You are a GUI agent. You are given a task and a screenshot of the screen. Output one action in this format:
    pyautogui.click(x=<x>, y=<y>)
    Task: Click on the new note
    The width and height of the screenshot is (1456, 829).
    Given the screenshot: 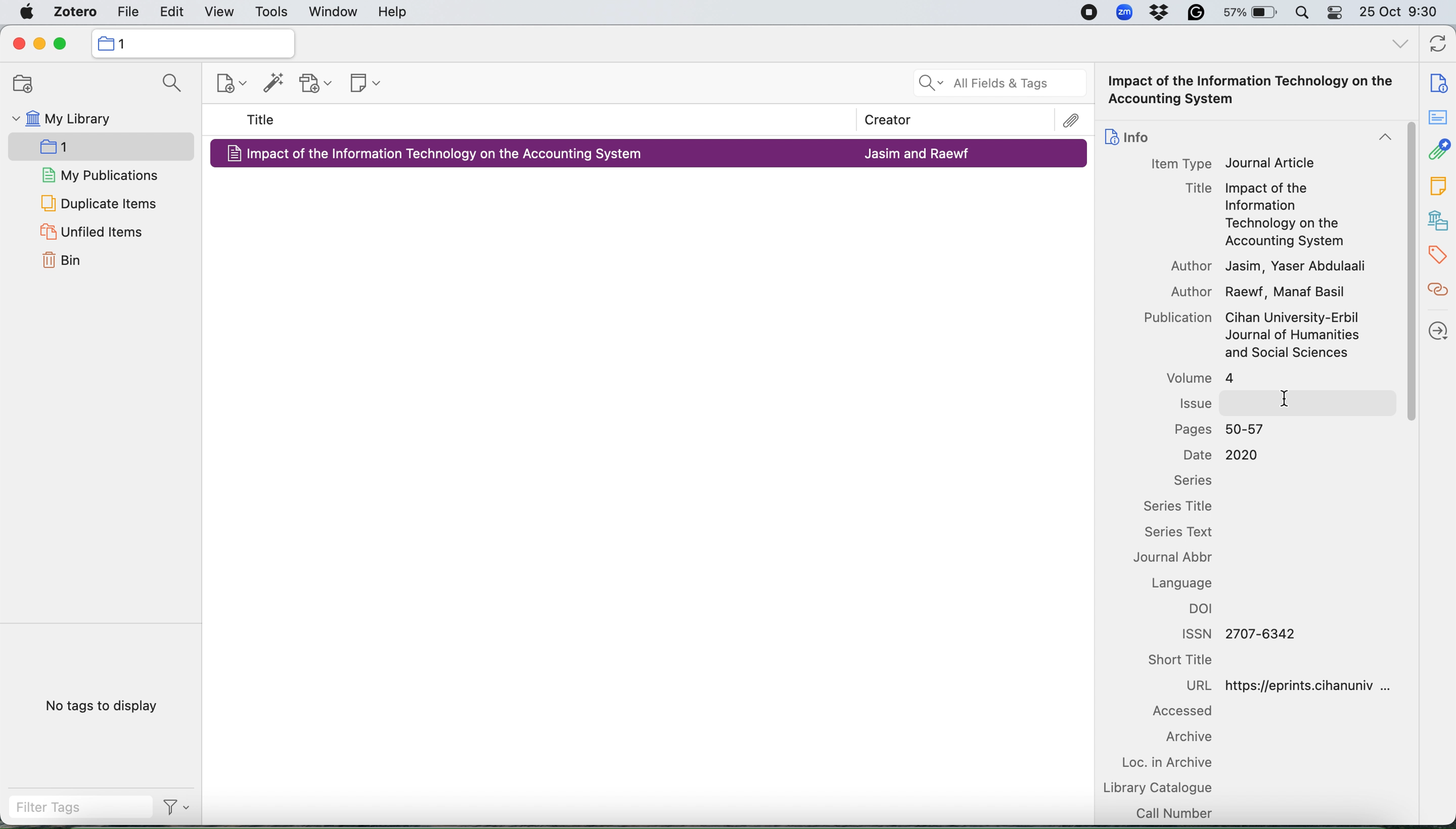 What is the action you would take?
    pyautogui.click(x=363, y=85)
    